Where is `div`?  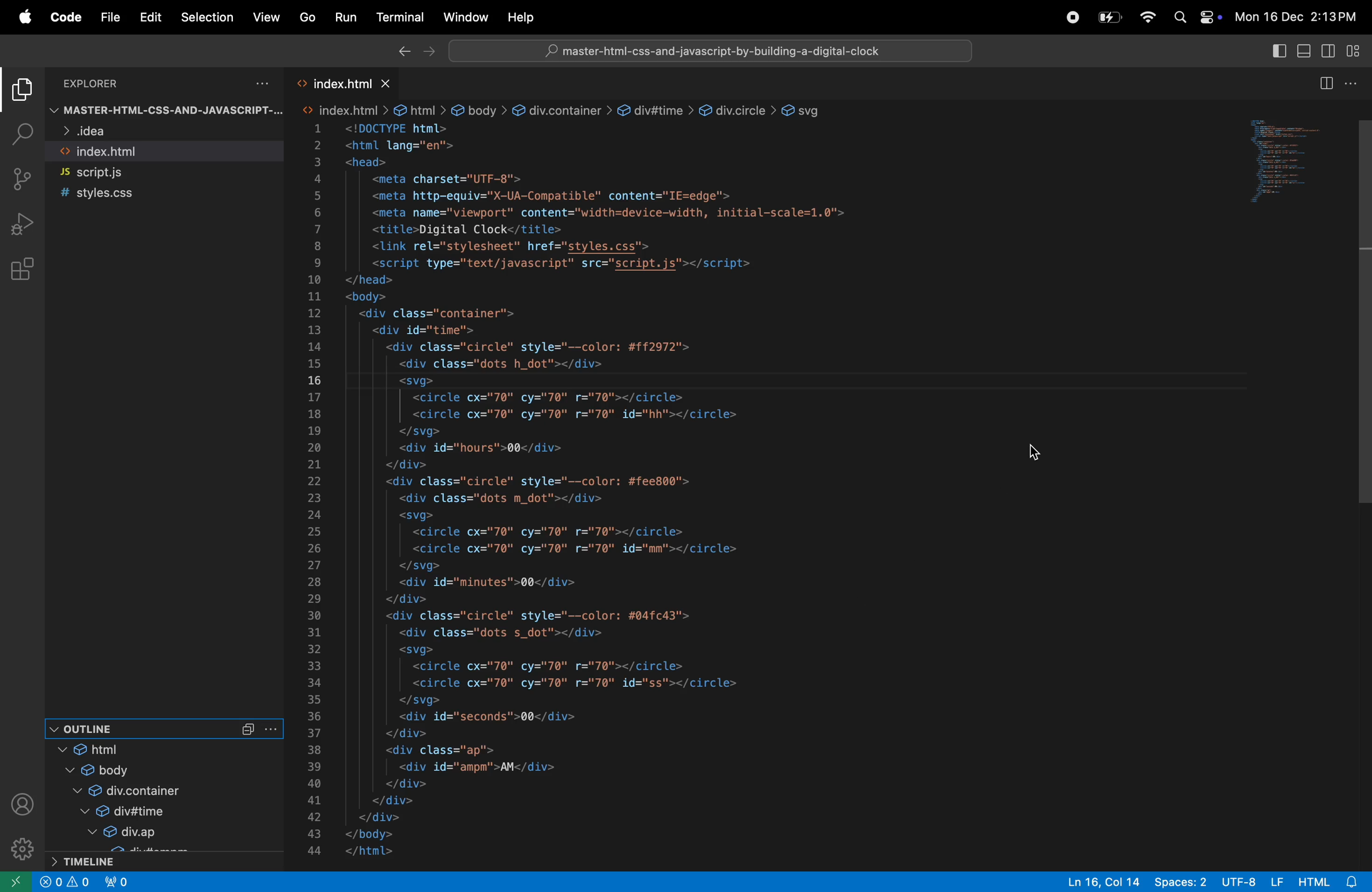
div is located at coordinates (562, 110).